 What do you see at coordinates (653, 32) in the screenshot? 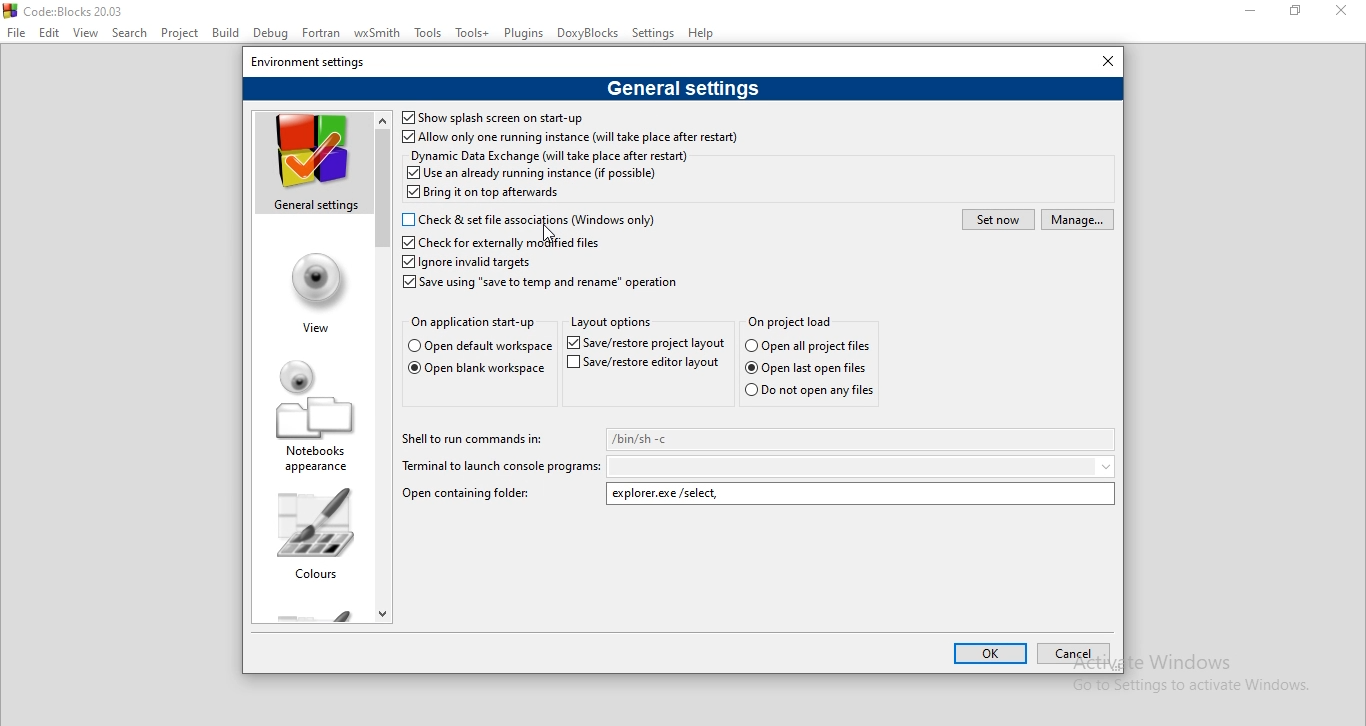
I see `Settings` at bounding box center [653, 32].